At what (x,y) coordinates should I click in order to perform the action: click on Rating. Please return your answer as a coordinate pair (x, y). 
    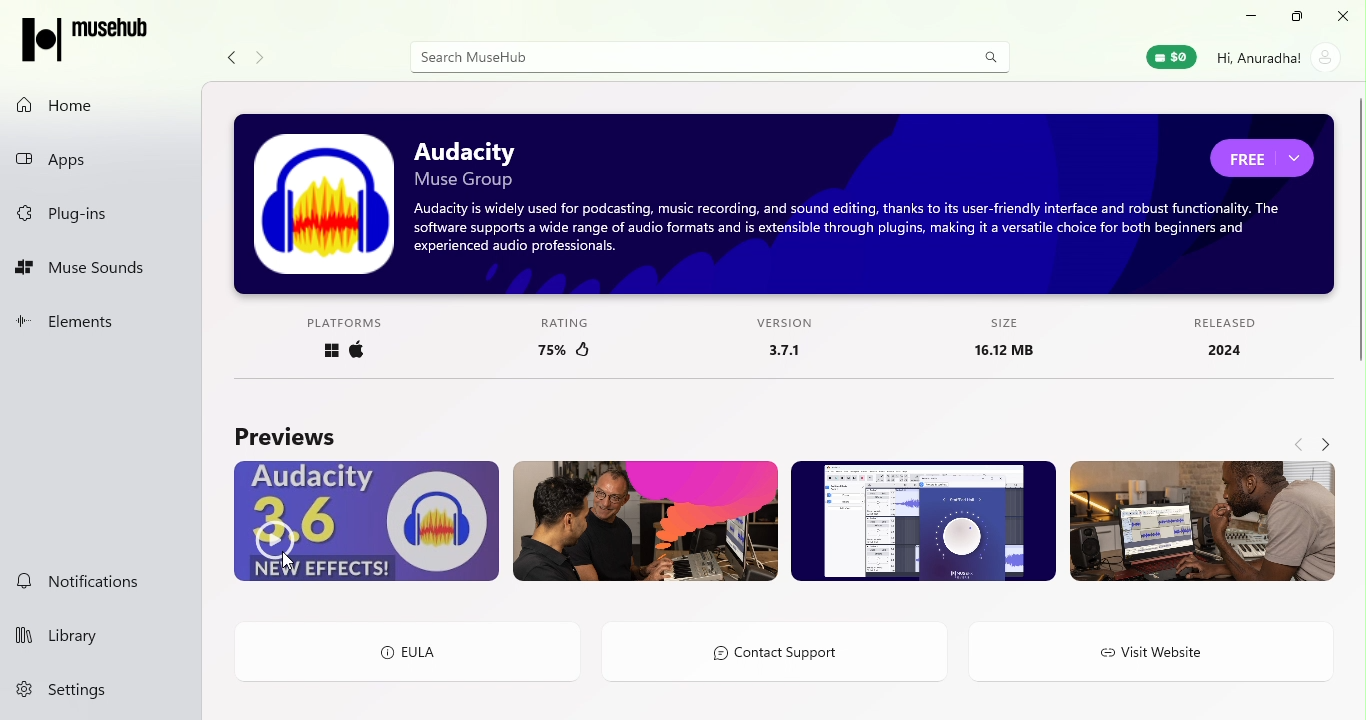
    Looking at the image, I should click on (563, 340).